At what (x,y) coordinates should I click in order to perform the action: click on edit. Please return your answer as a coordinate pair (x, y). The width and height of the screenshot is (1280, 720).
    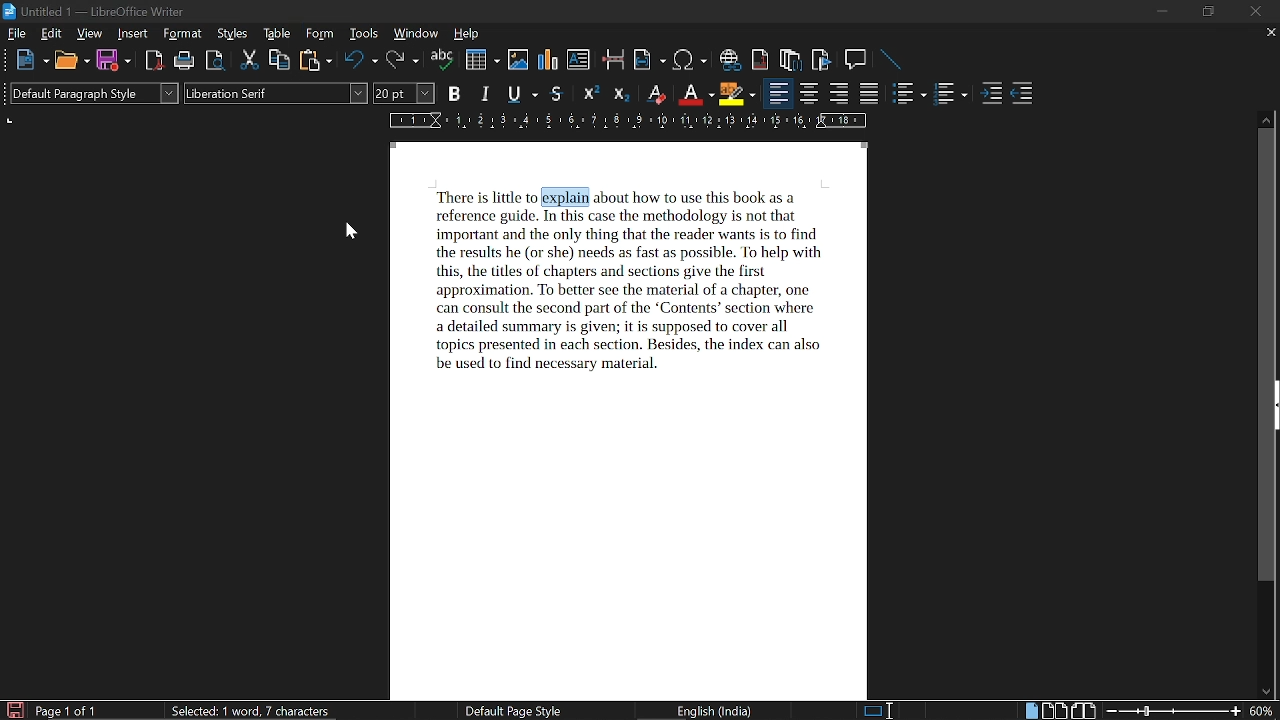
    Looking at the image, I should click on (53, 34).